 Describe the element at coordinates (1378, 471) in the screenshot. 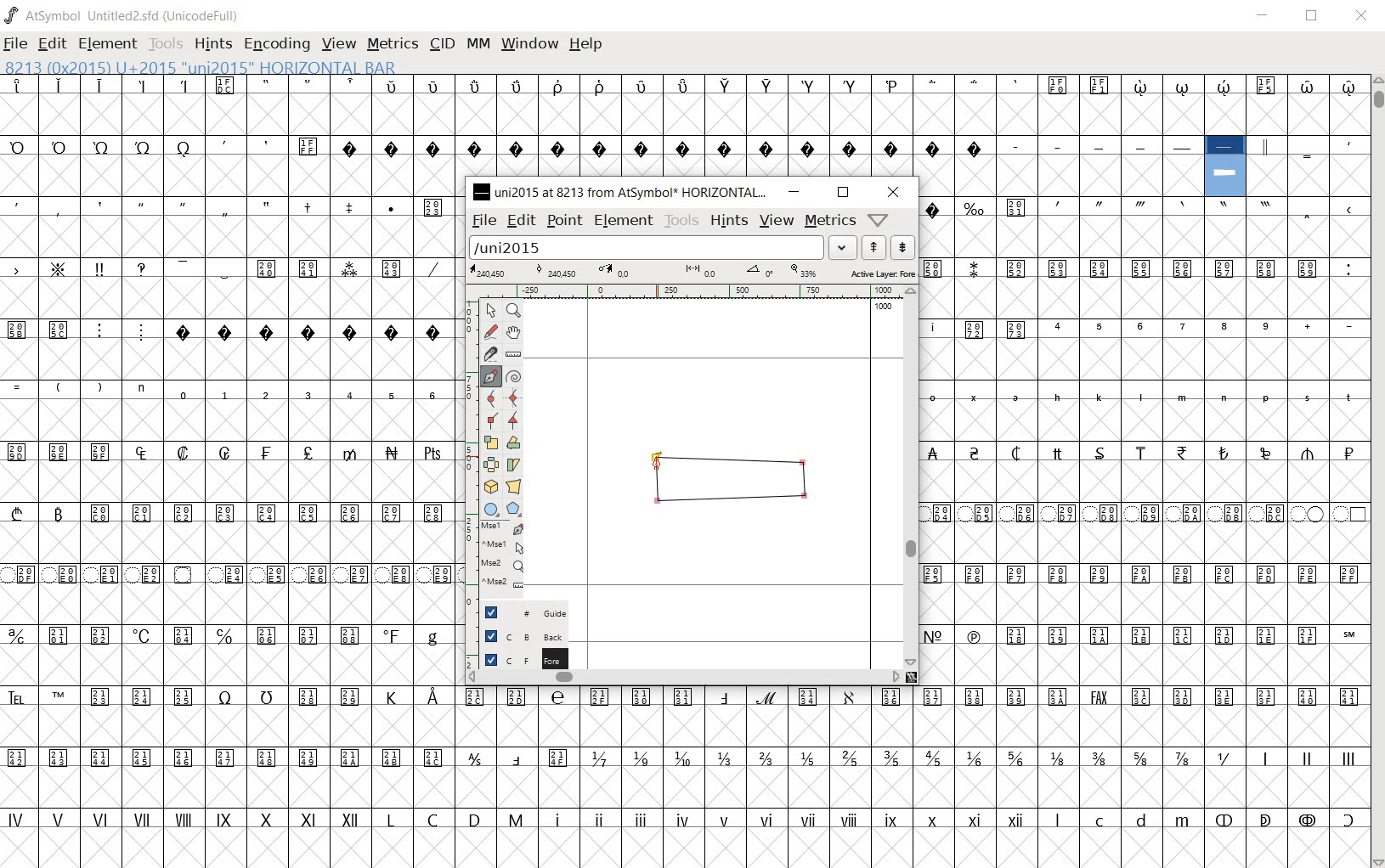

I see `SCROLLBAR` at that location.